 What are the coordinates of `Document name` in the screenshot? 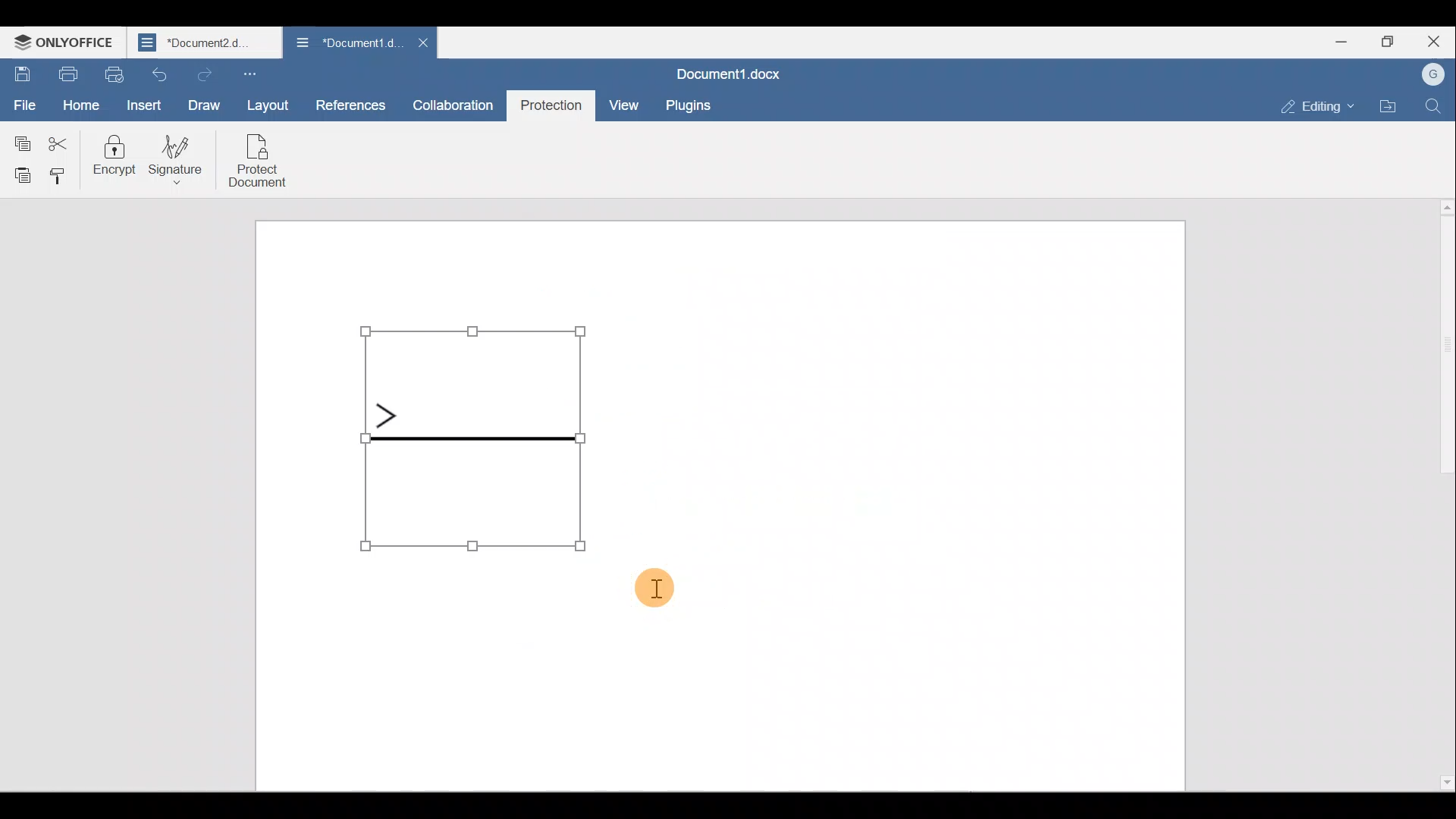 It's located at (347, 41).